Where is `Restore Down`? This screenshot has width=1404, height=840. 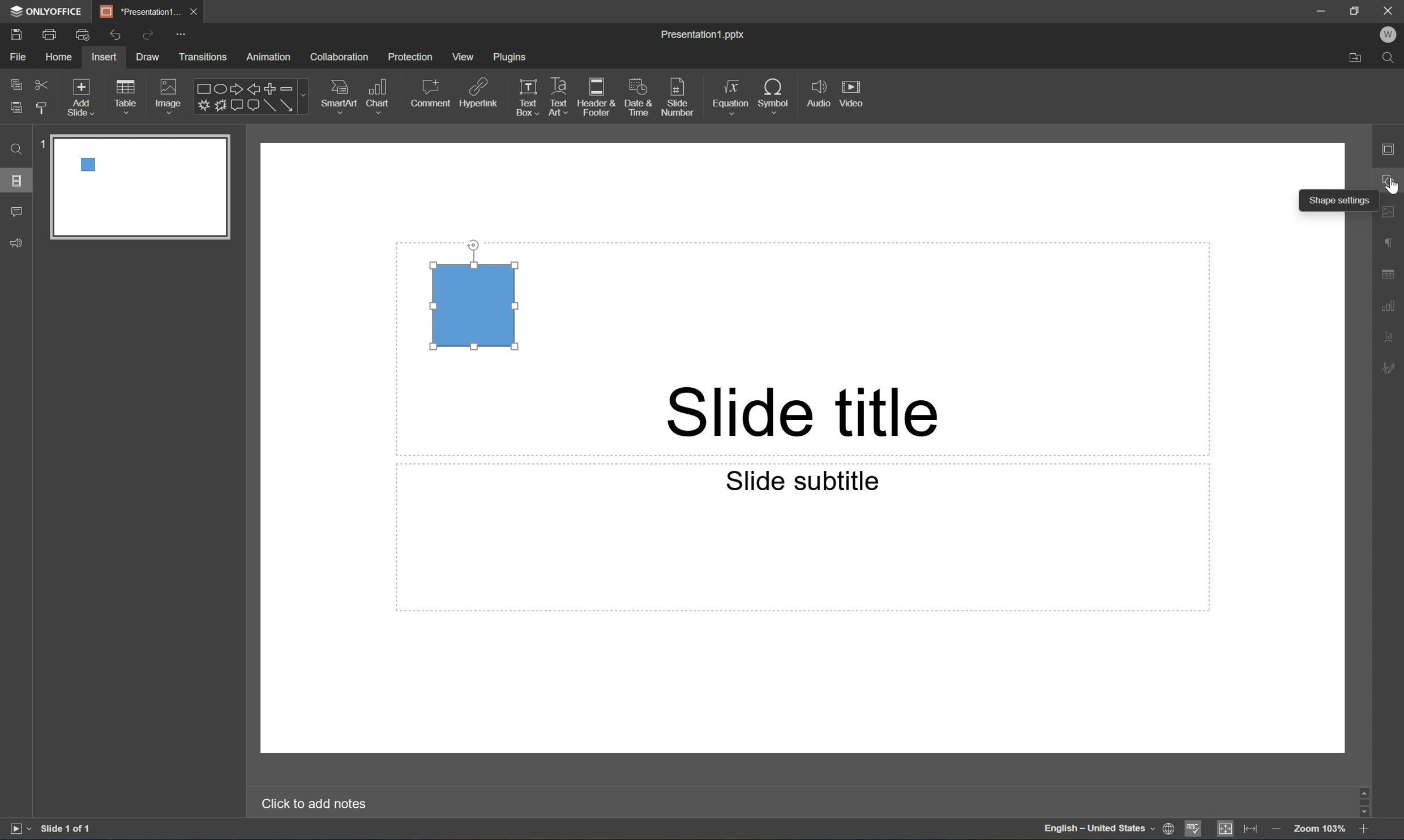
Restore Down is located at coordinates (1356, 8).